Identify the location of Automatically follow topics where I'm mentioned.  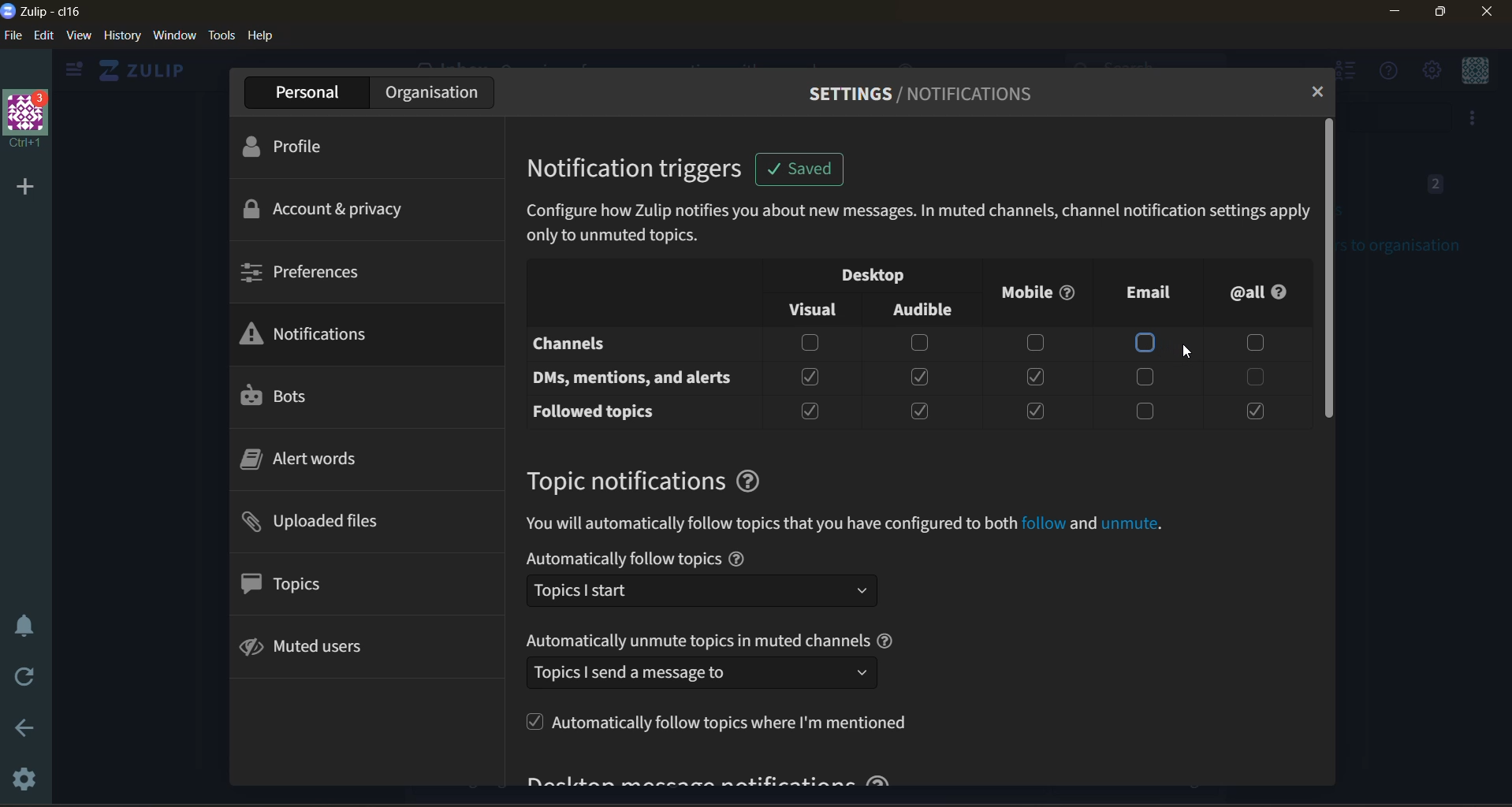
(716, 721).